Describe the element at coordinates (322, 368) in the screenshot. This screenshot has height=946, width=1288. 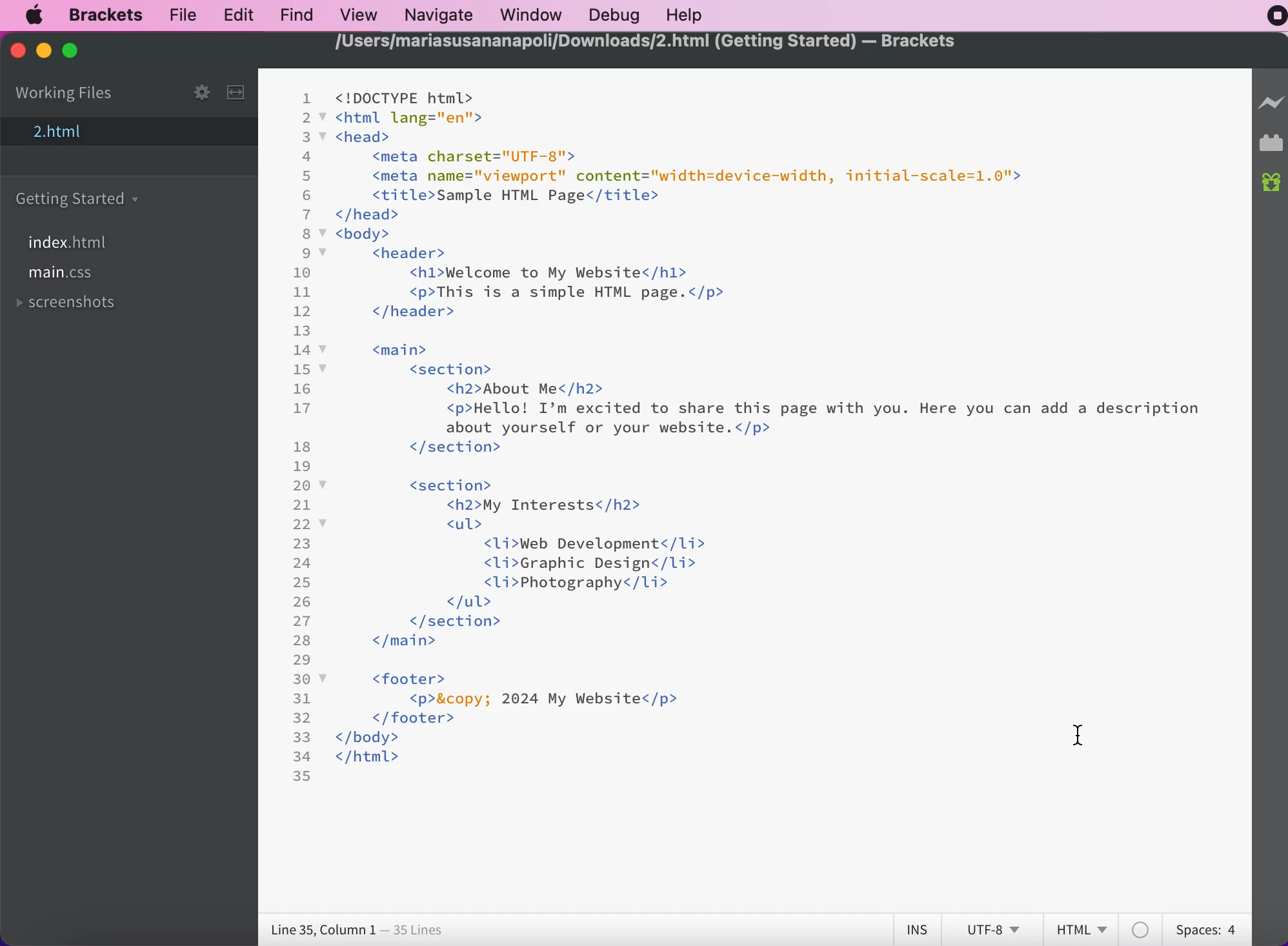
I see `code fold` at that location.